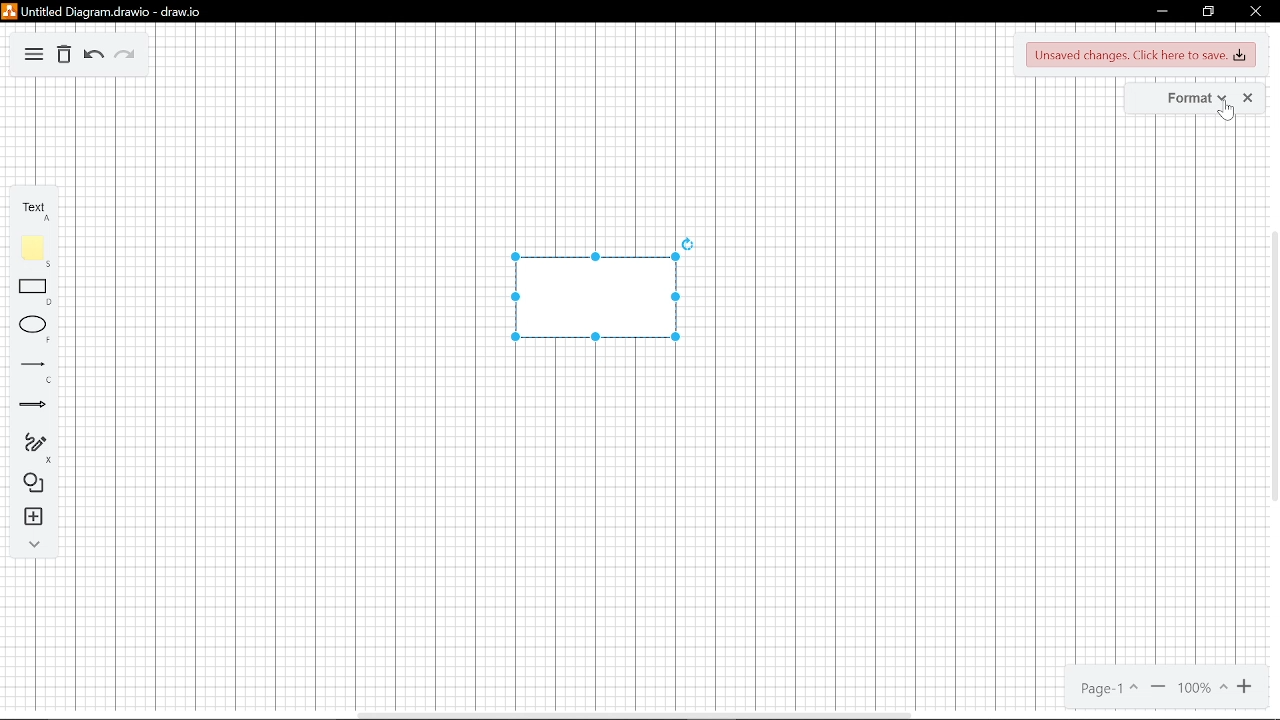 Image resolution: width=1280 pixels, height=720 pixels. I want to click on more, so click(33, 543).